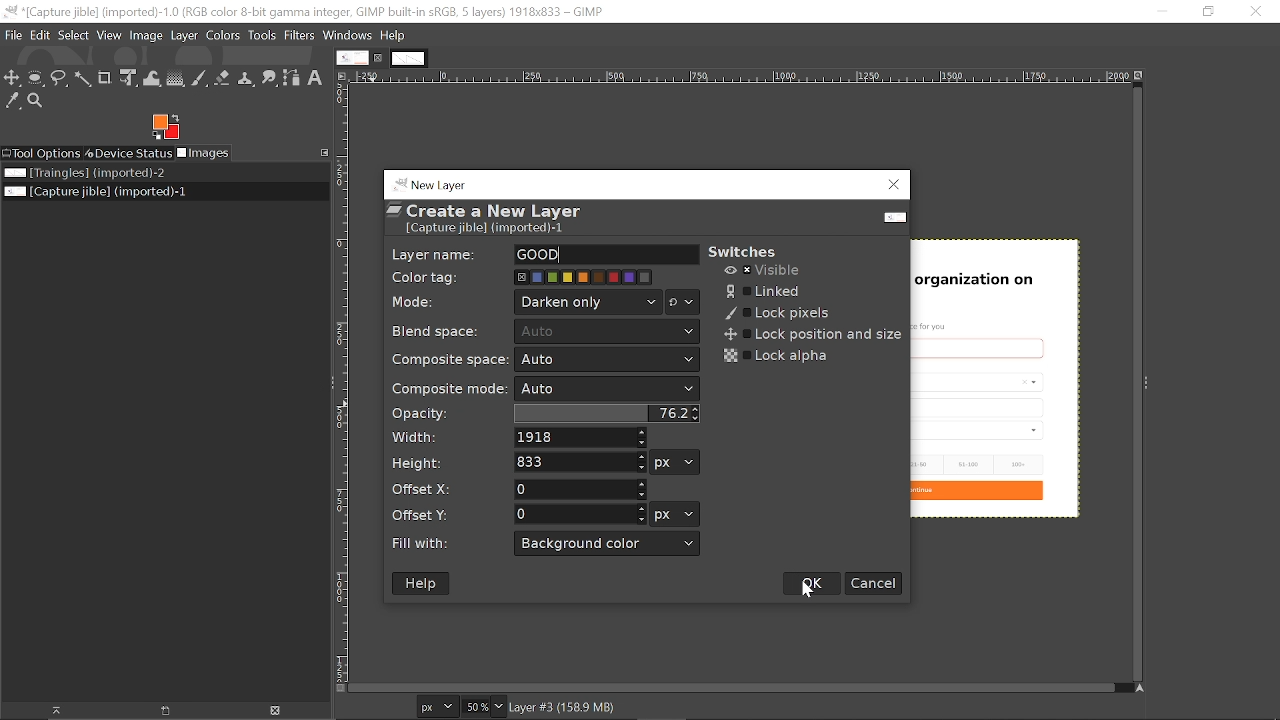 Image resolution: width=1280 pixels, height=720 pixels. Describe the element at coordinates (421, 583) in the screenshot. I see `Help` at that location.